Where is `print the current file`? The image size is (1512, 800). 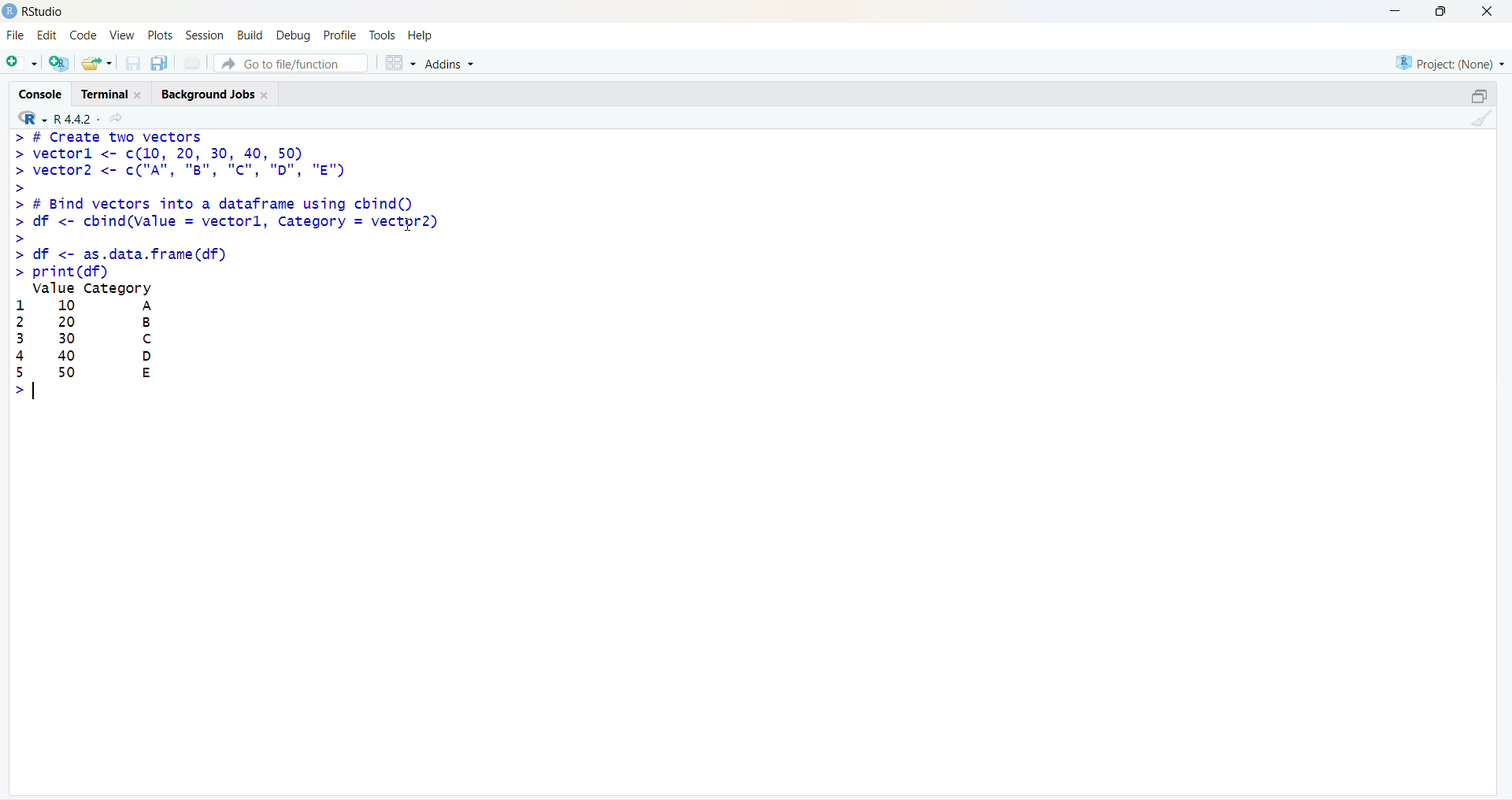
print the current file is located at coordinates (193, 62).